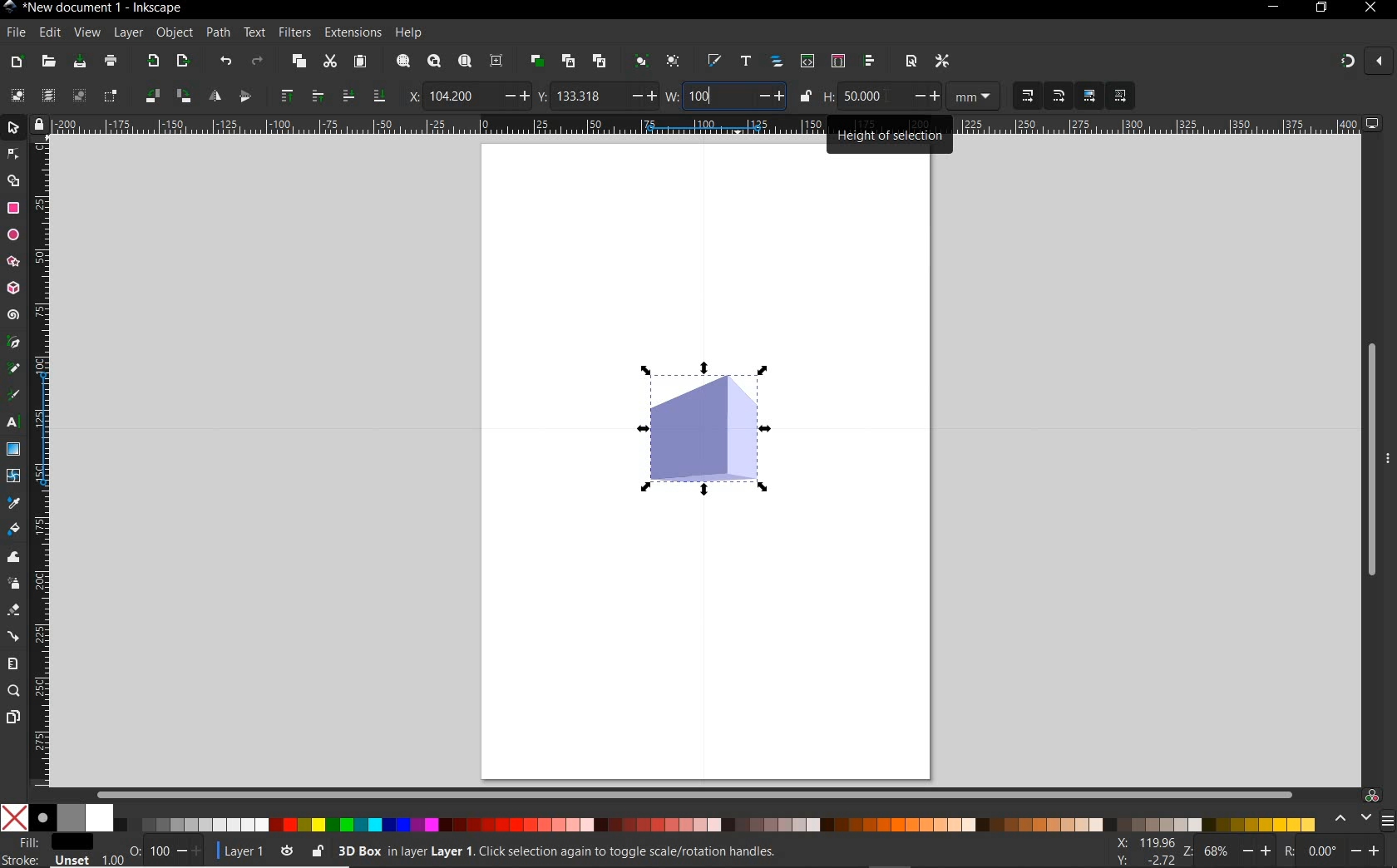 Image resolution: width=1397 pixels, height=868 pixels. What do you see at coordinates (1090, 96) in the screenshot?
I see `move gradients` at bounding box center [1090, 96].